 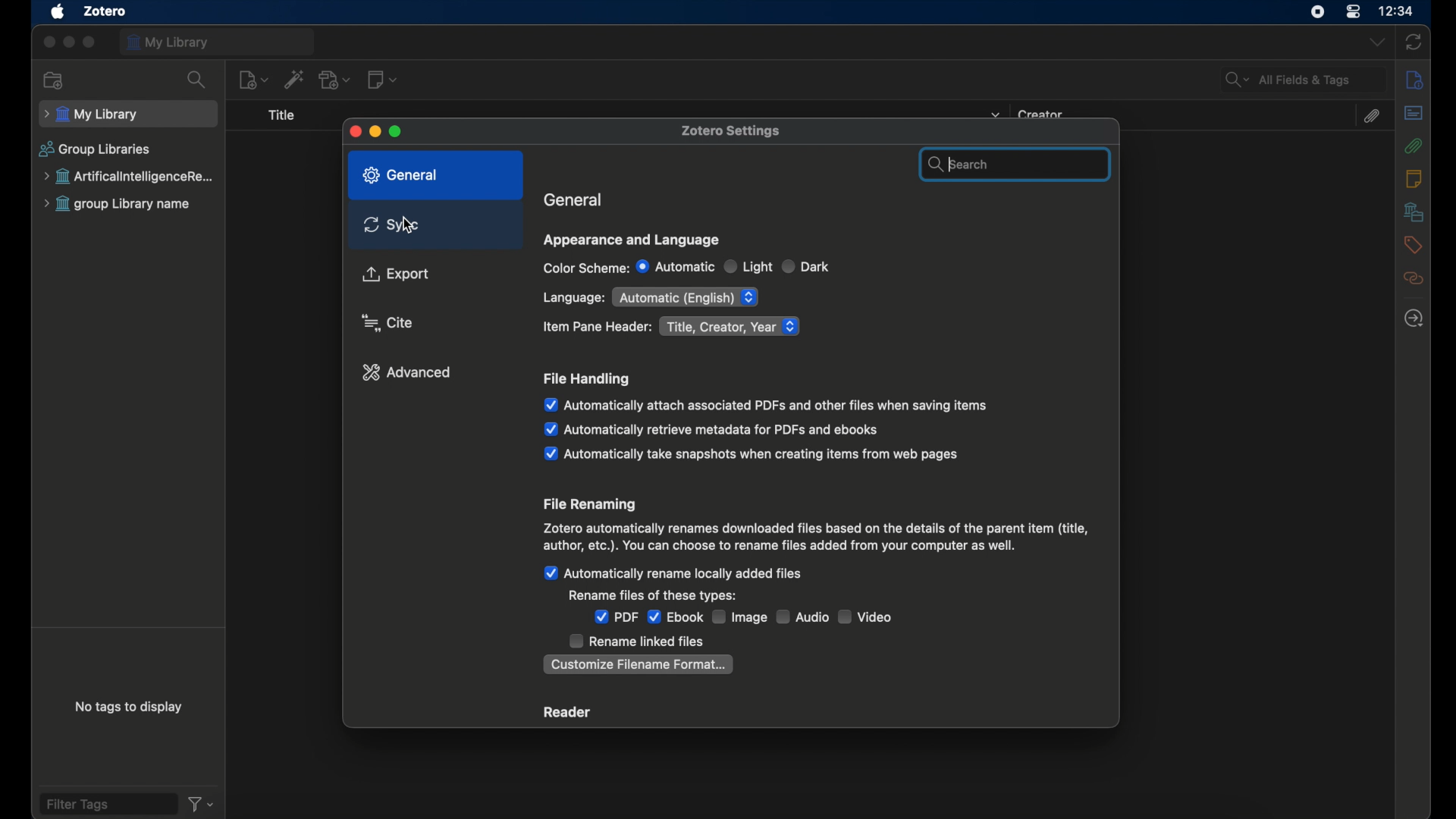 What do you see at coordinates (739, 617) in the screenshot?
I see `image checkbox` at bounding box center [739, 617].